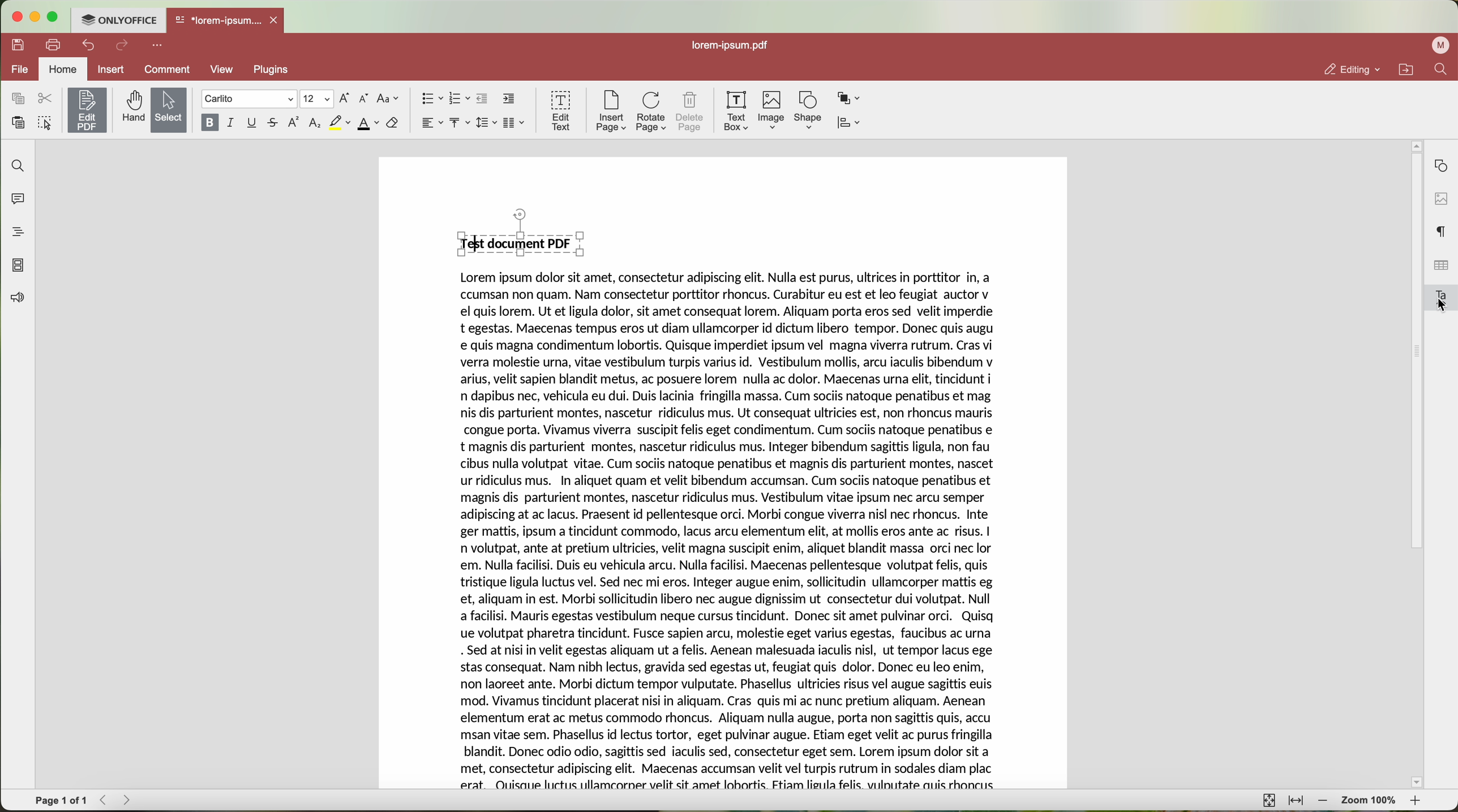 This screenshot has height=812, width=1458. What do you see at coordinates (690, 111) in the screenshot?
I see `delete page` at bounding box center [690, 111].